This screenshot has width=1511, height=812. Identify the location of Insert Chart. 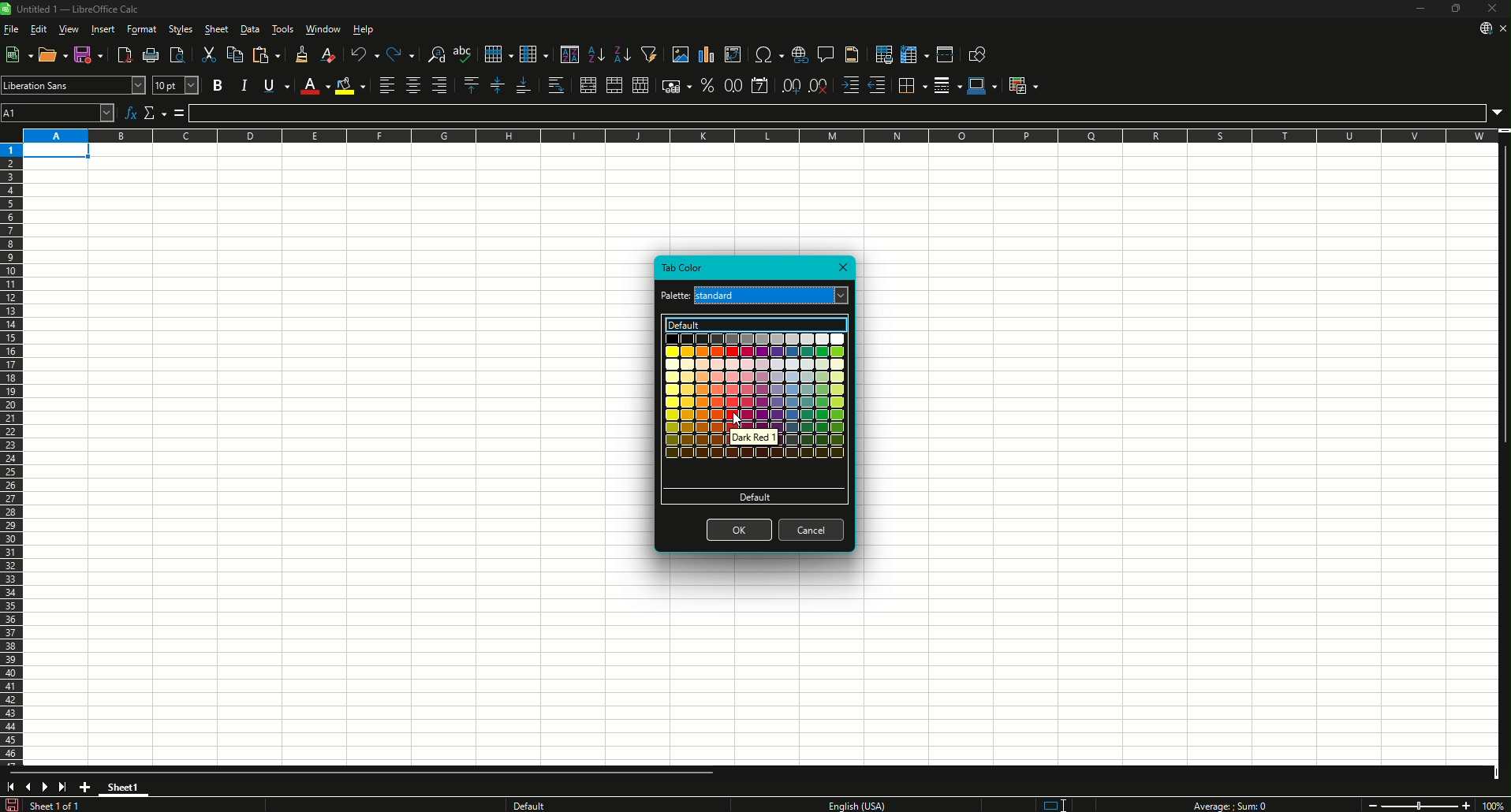
(707, 54).